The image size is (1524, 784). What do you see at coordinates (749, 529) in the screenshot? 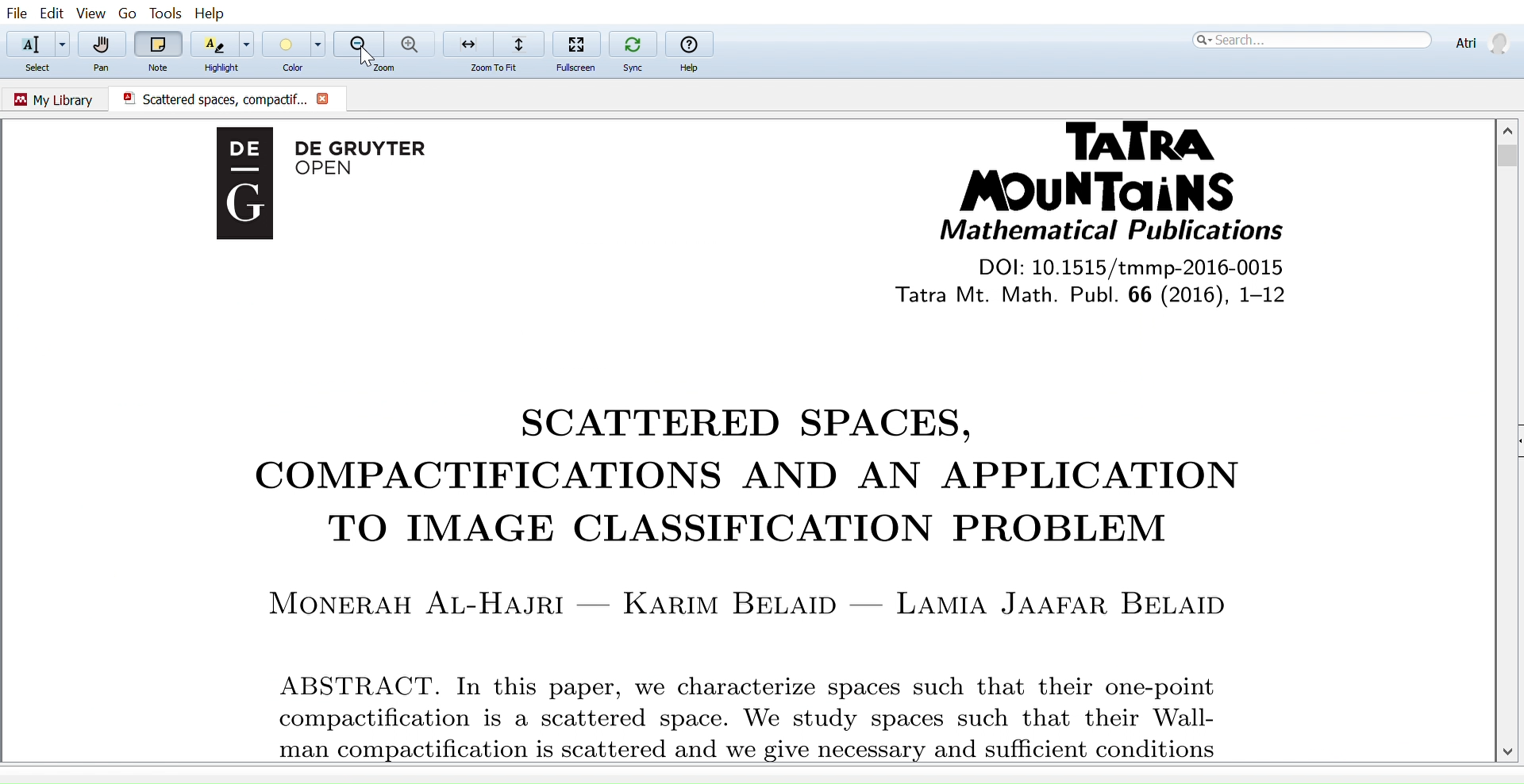
I see `TO IMAGE CLASSIFICATION PROBLEM` at bounding box center [749, 529].